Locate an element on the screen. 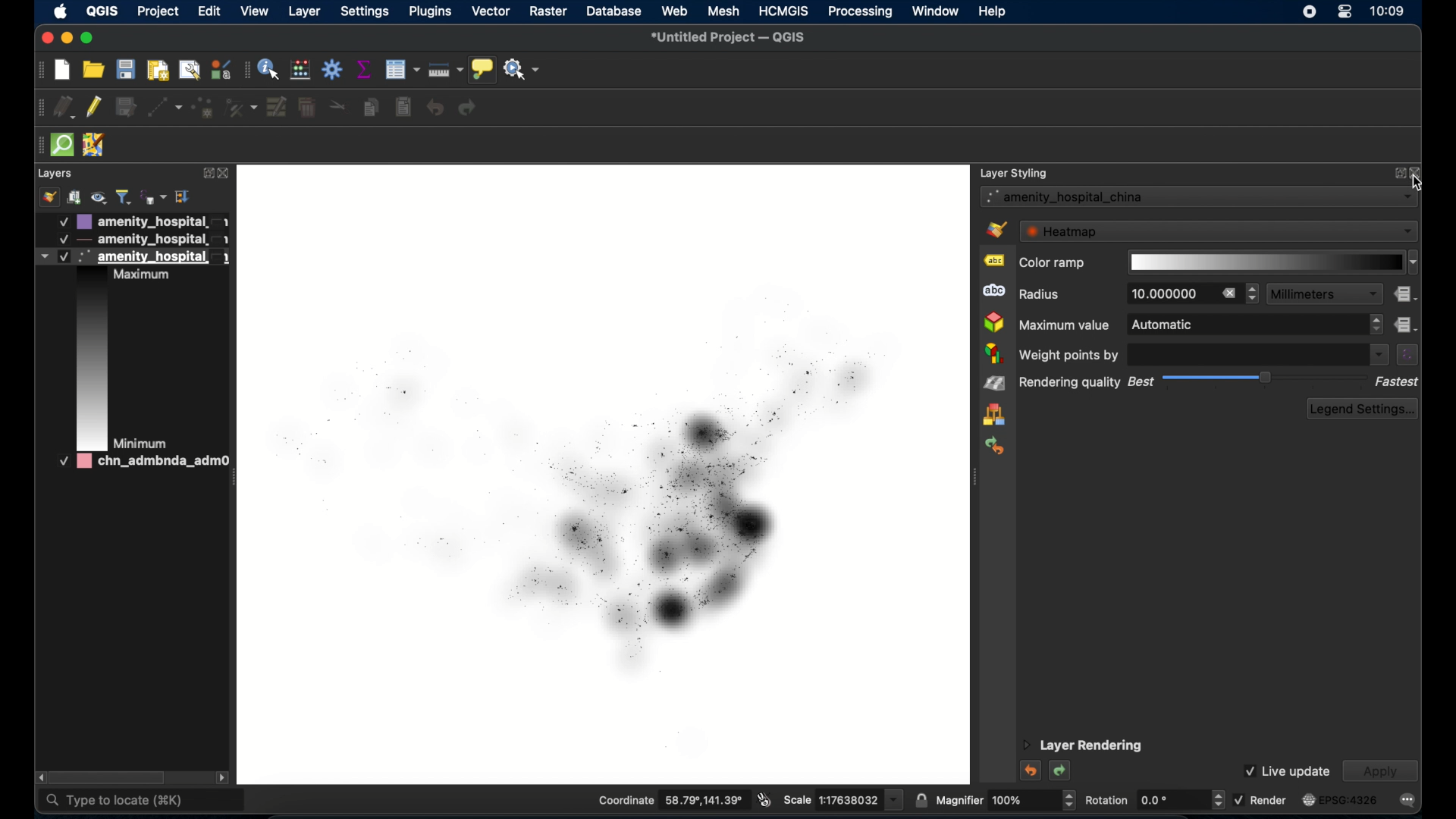 Image resolution: width=1456 pixels, height=819 pixels. drag handle is located at coordinates (37, 146).